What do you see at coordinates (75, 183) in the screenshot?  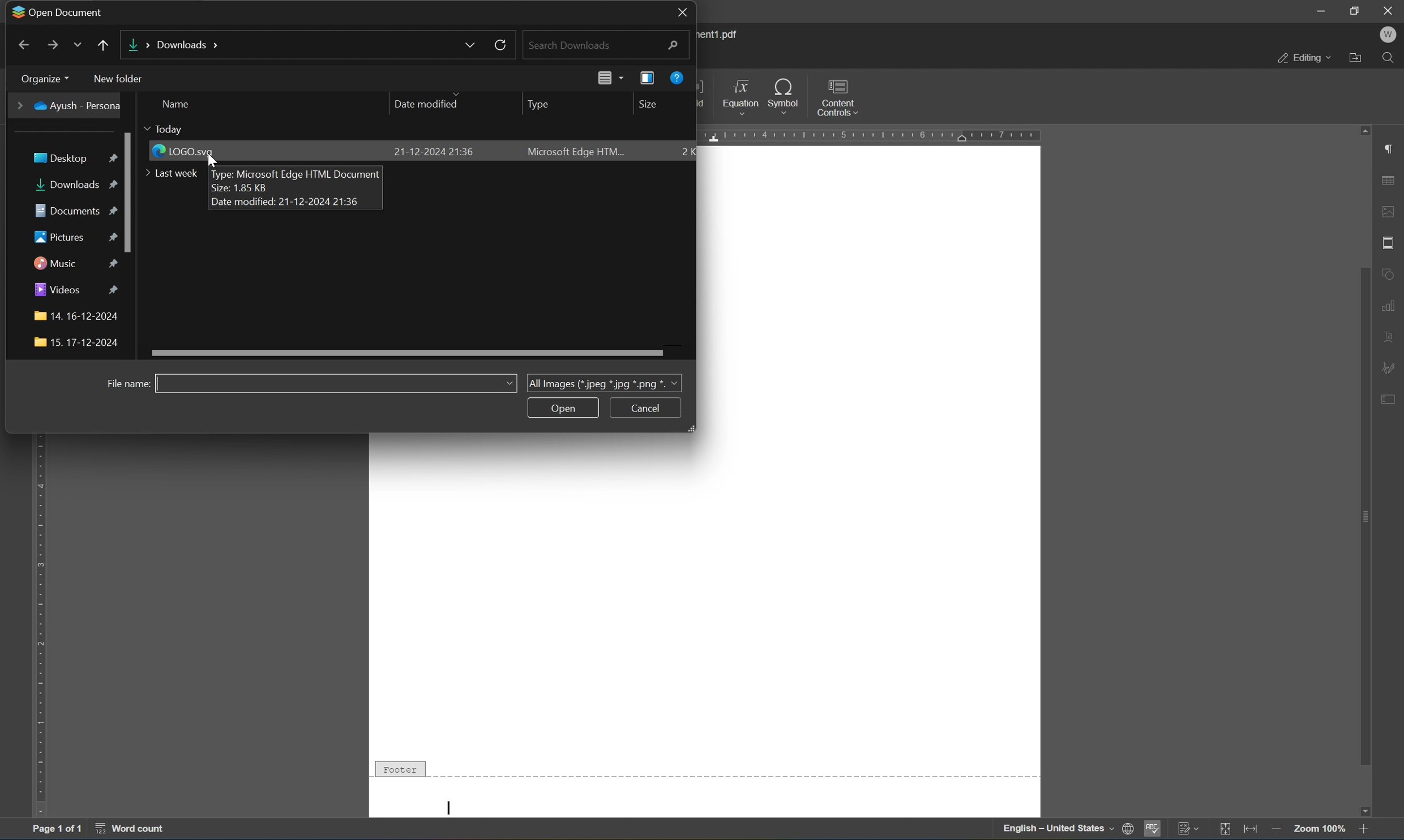 I see `downloads` at bounding box center [75, 183].